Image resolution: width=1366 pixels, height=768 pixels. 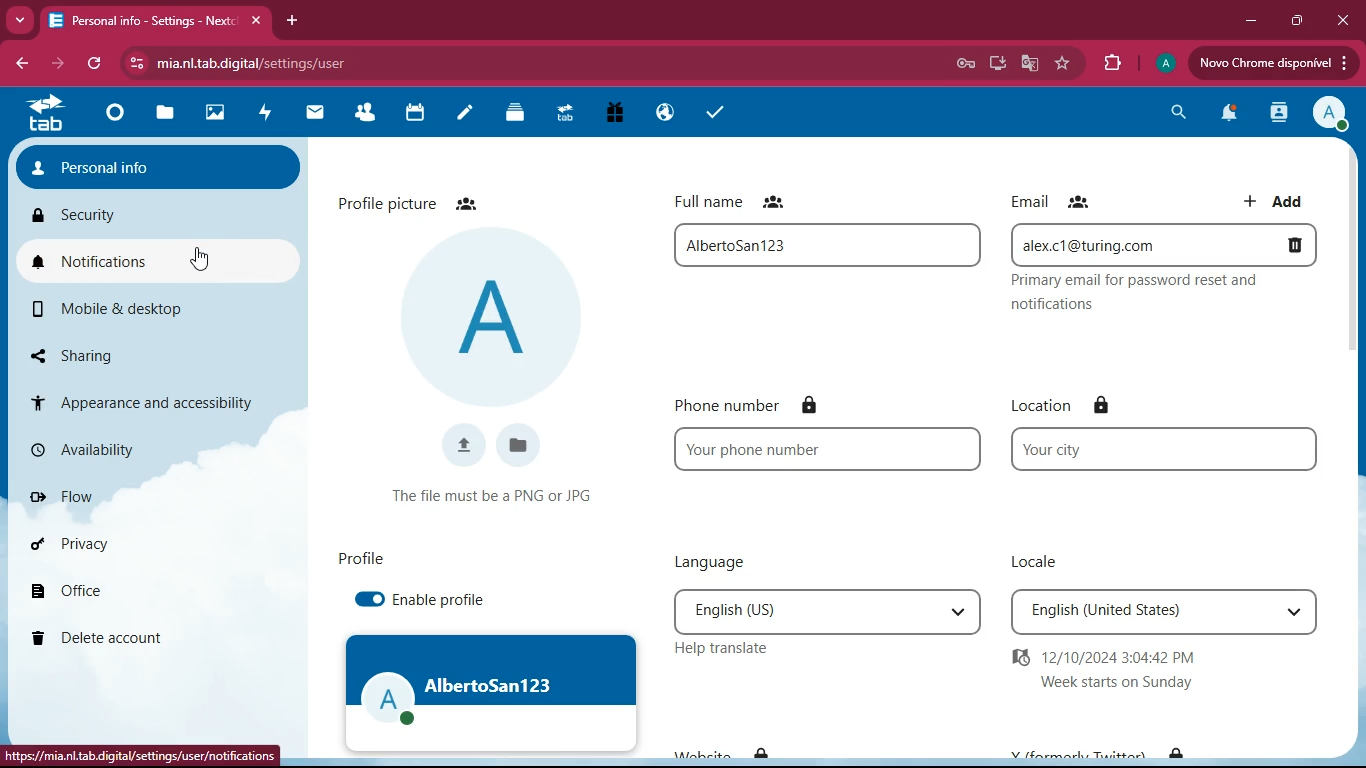 What do you see at coordinates (1163, 245) in the screenshot?
I see `email` at bounding box center [1163, 245].